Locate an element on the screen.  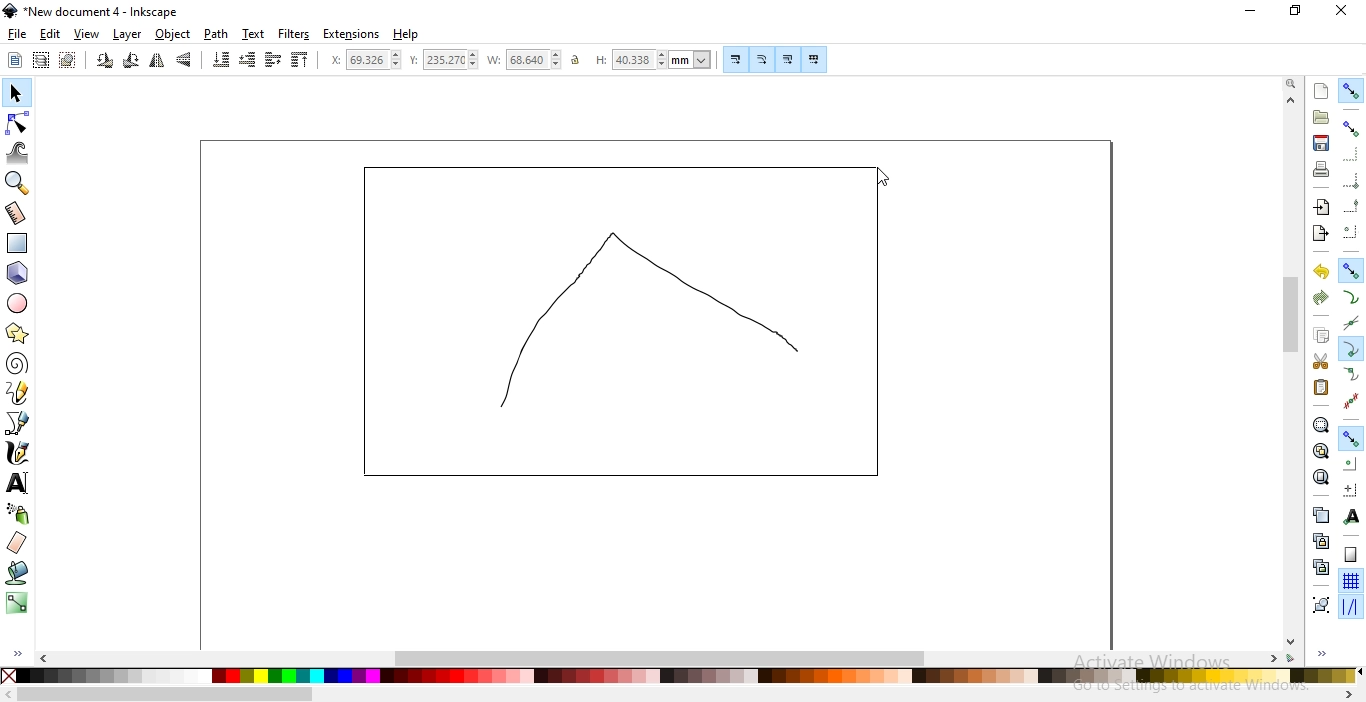
path is located at coordinates (214, 34).